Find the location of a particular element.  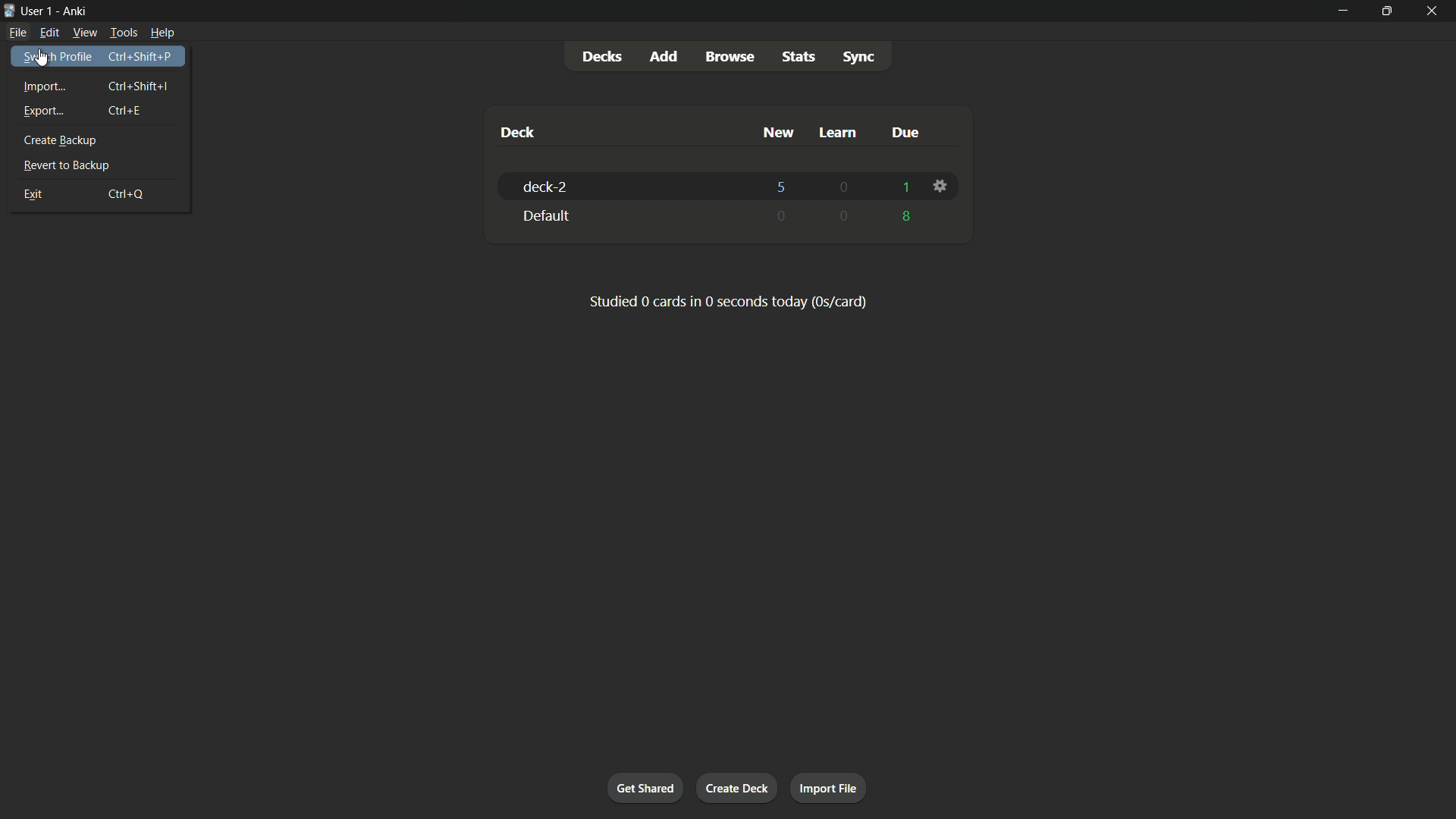

Tools is located at coordinates (122, 32).